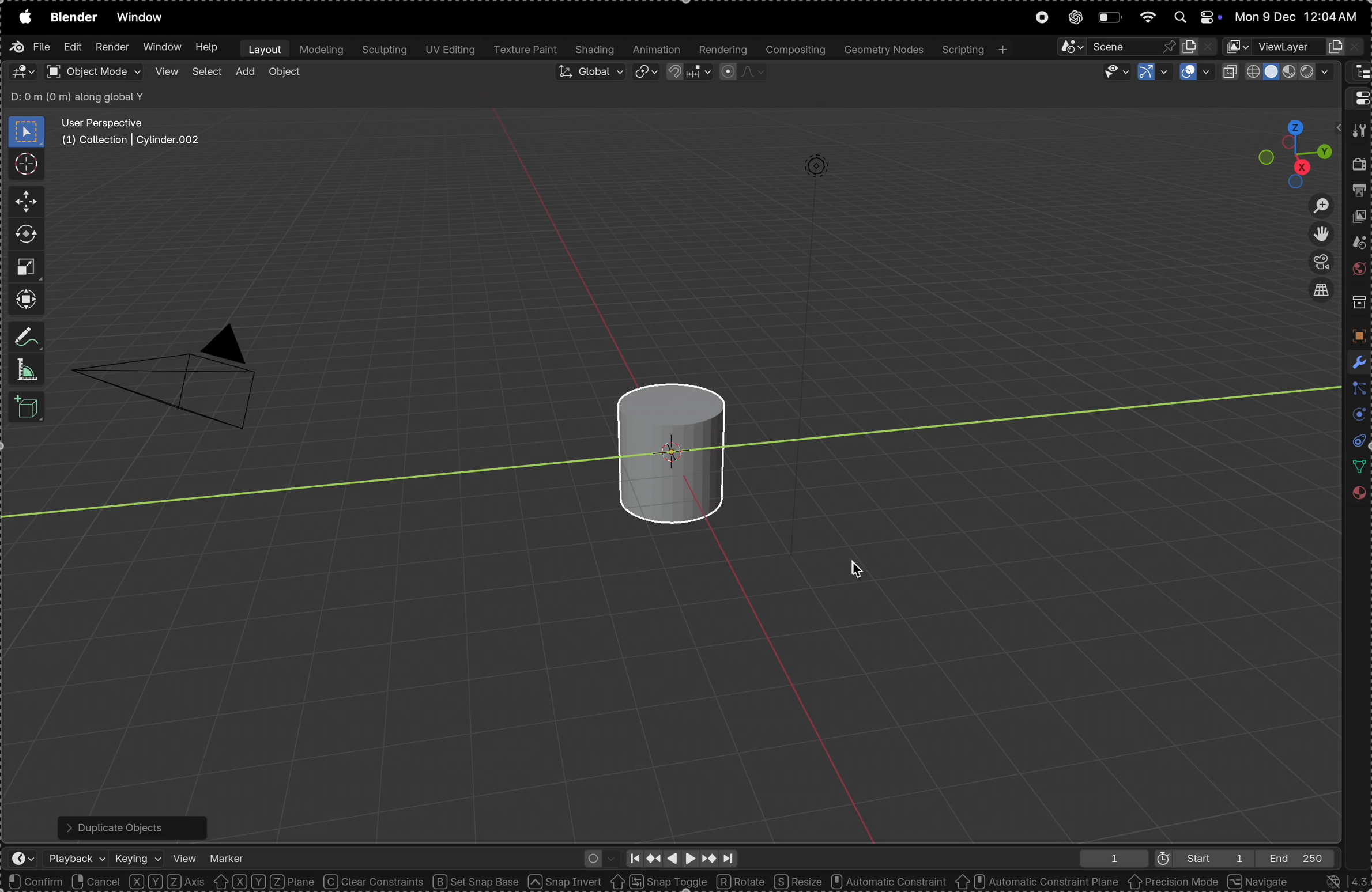  Describe the element at coordinates (73, 17) in the screenshot. I see `Blender` at that location.